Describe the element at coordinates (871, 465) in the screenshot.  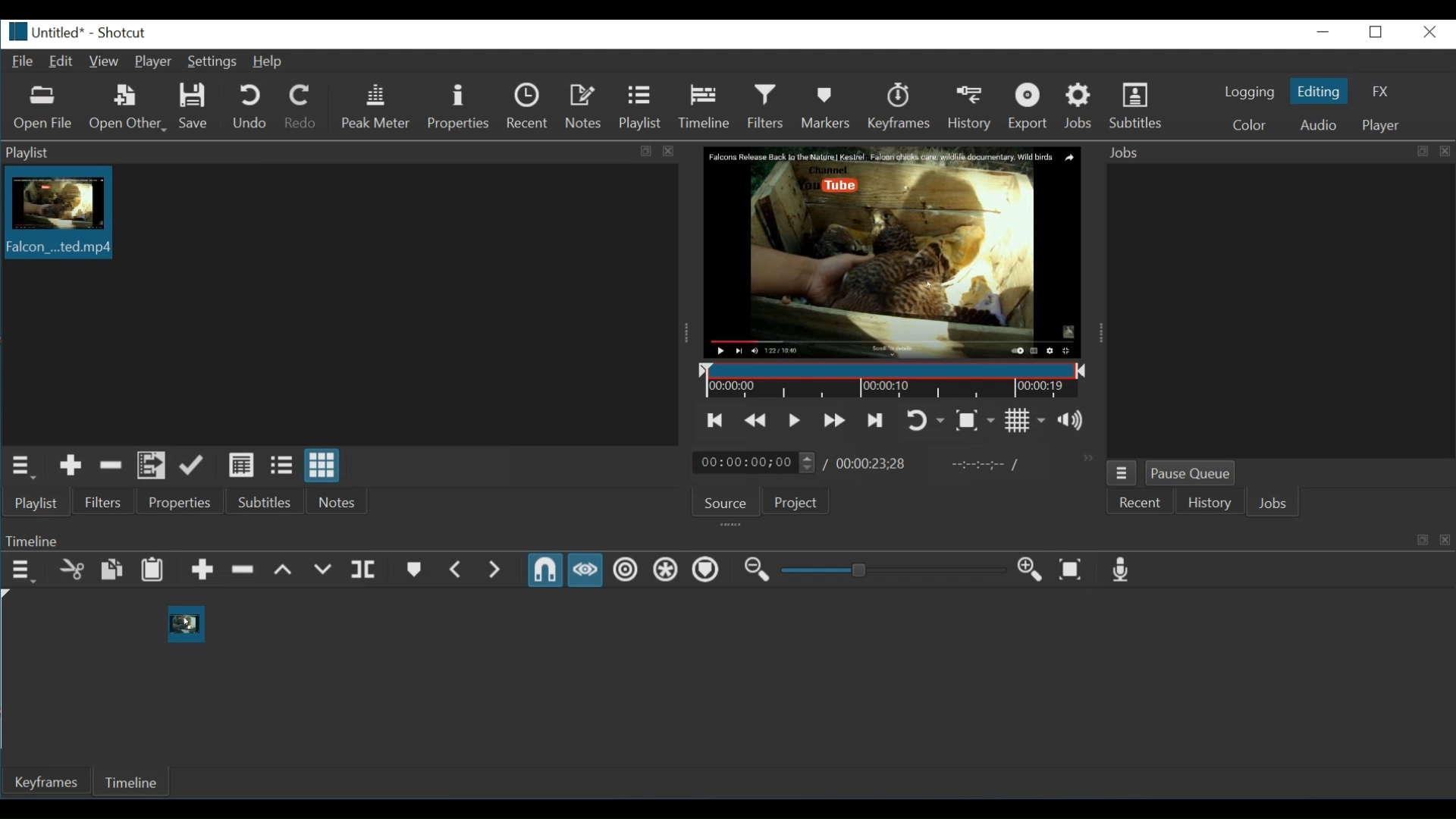
I see `Total Duration` at that location.